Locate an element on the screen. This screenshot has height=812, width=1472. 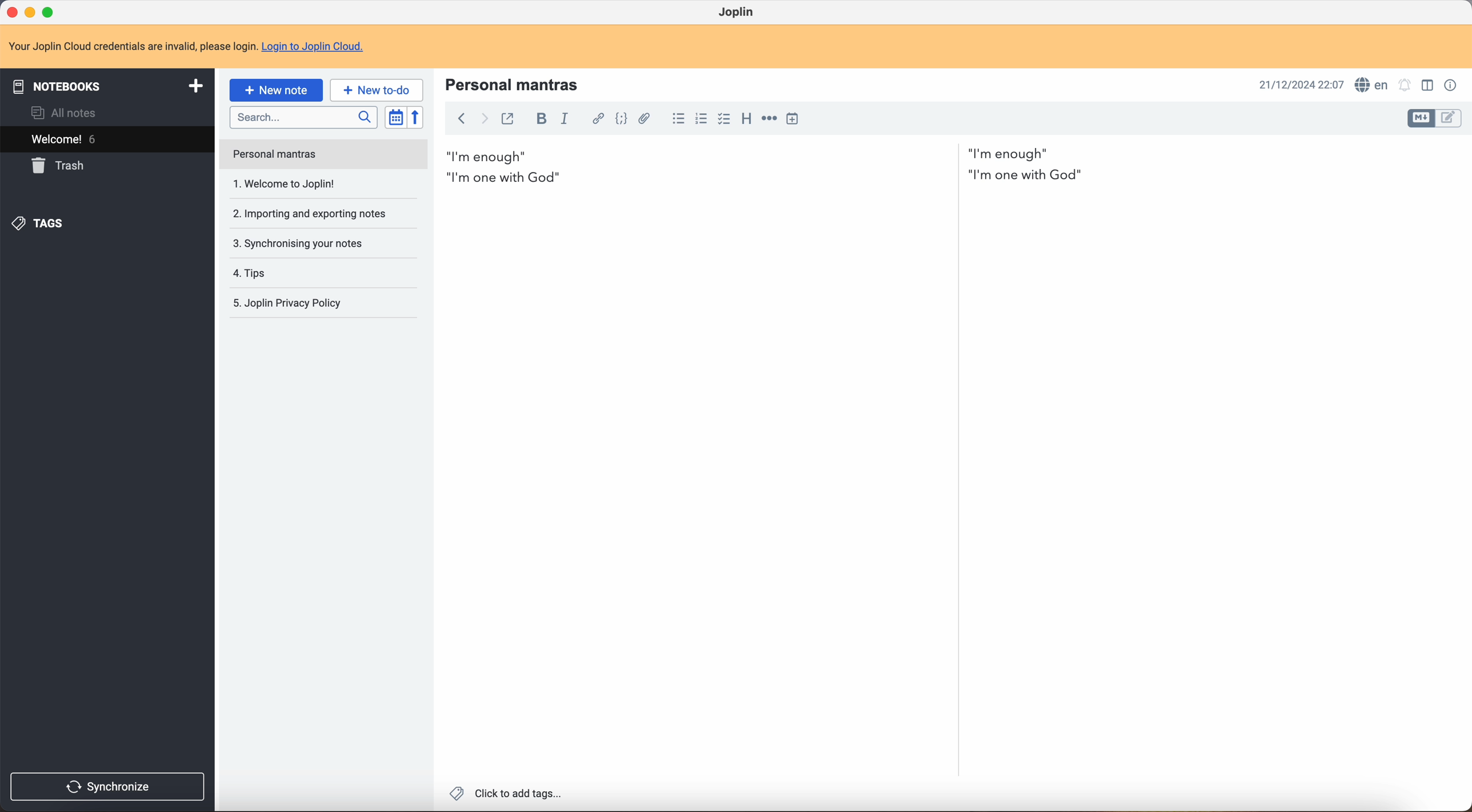
reverse sort order is located at coordinates (416, 118).